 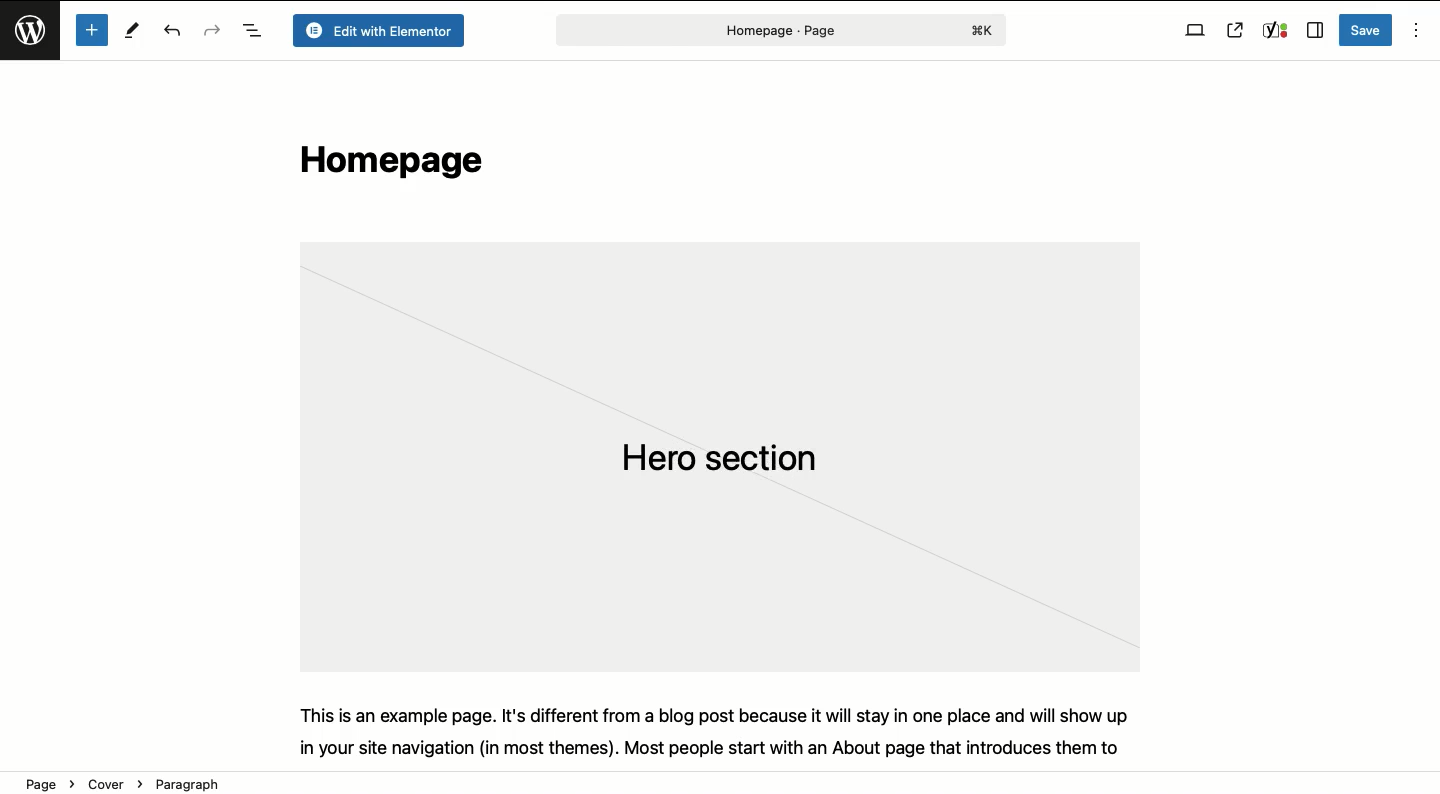 I want to click on Yoast, so click(x=1274, y=31).